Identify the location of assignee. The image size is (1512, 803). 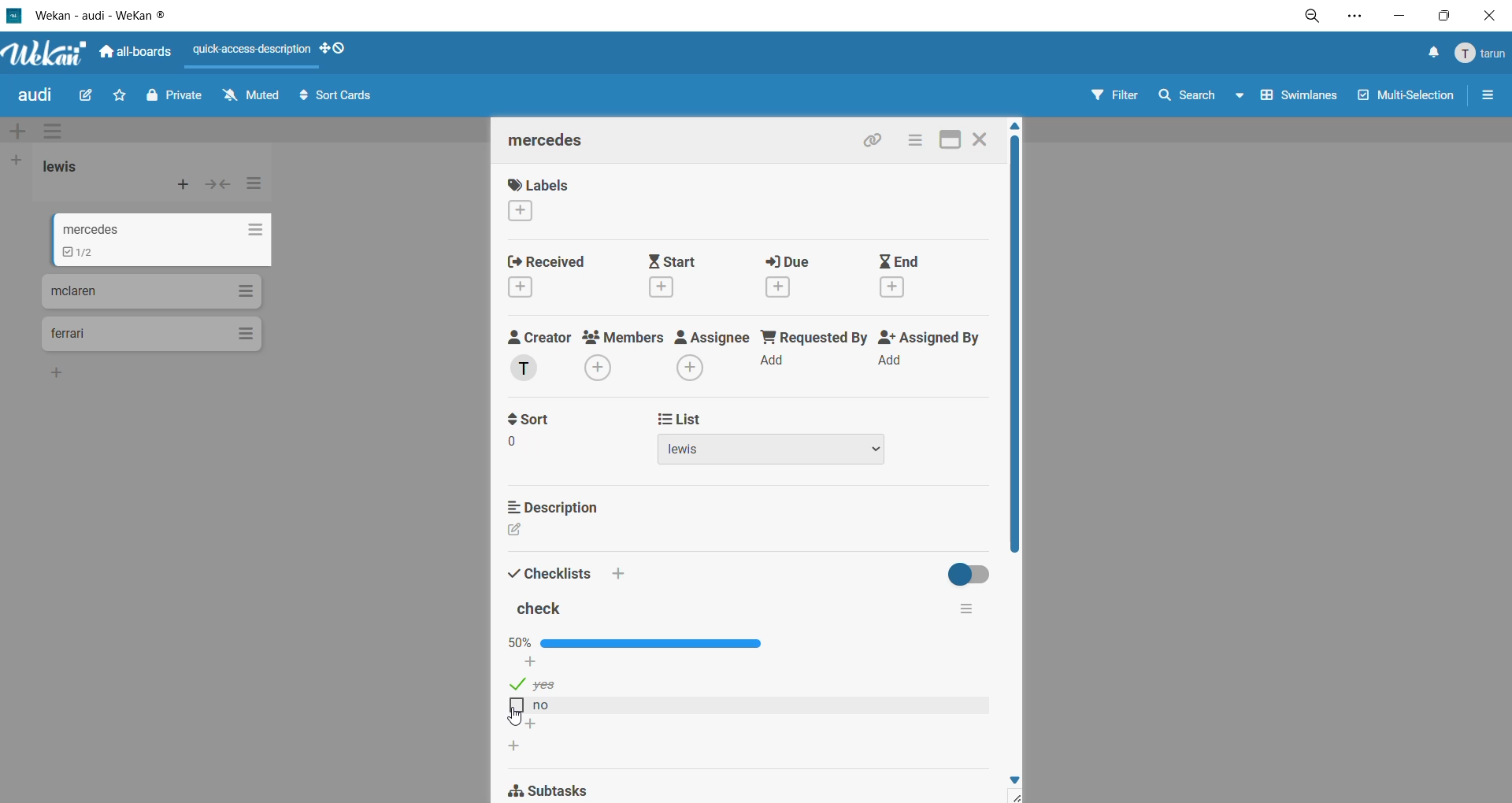
(710, 355).